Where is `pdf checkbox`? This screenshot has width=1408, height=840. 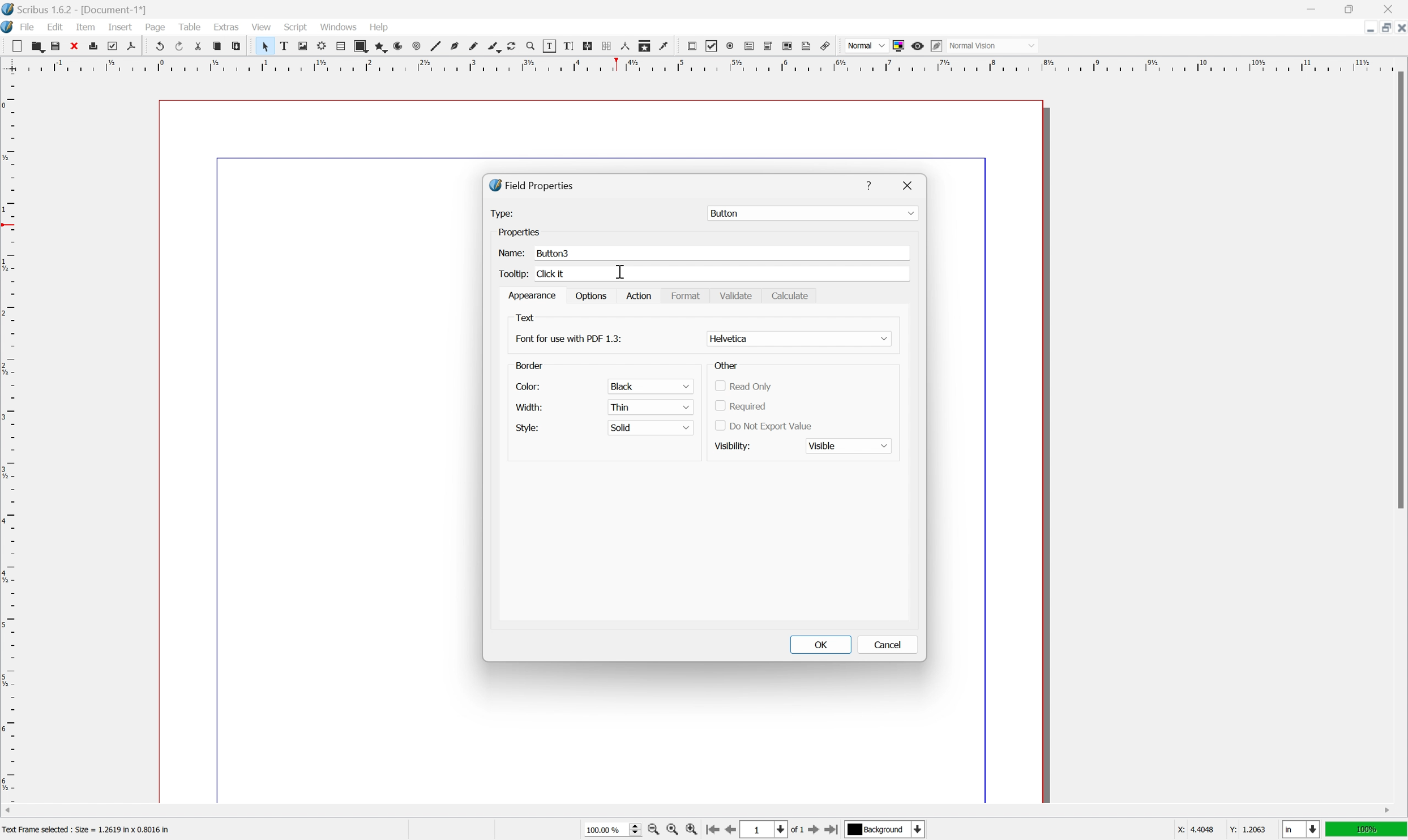
pdf checkbox is located at coordinates (712, 46).